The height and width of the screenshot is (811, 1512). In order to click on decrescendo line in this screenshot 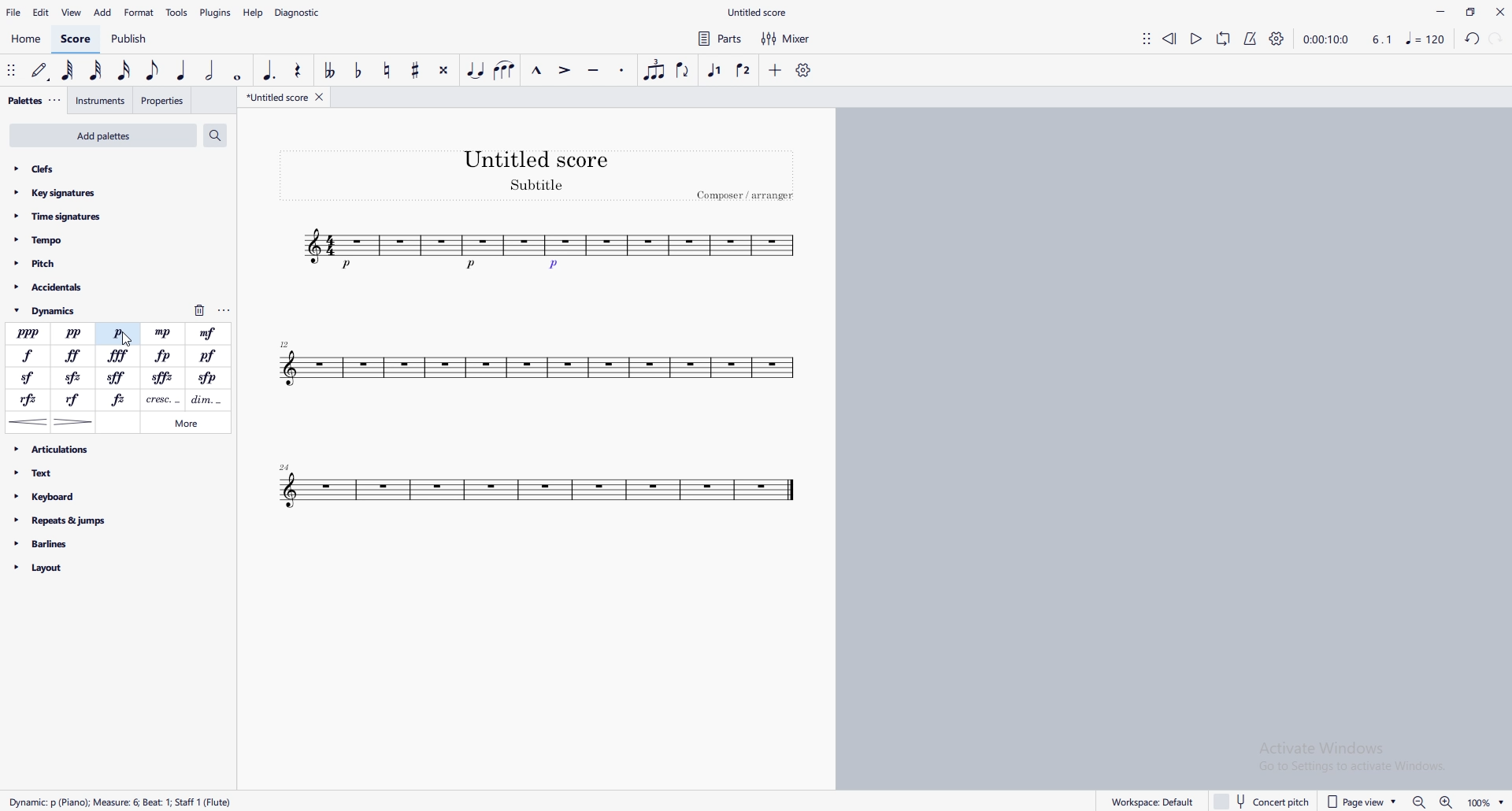, I will do `click(209, 402)`.